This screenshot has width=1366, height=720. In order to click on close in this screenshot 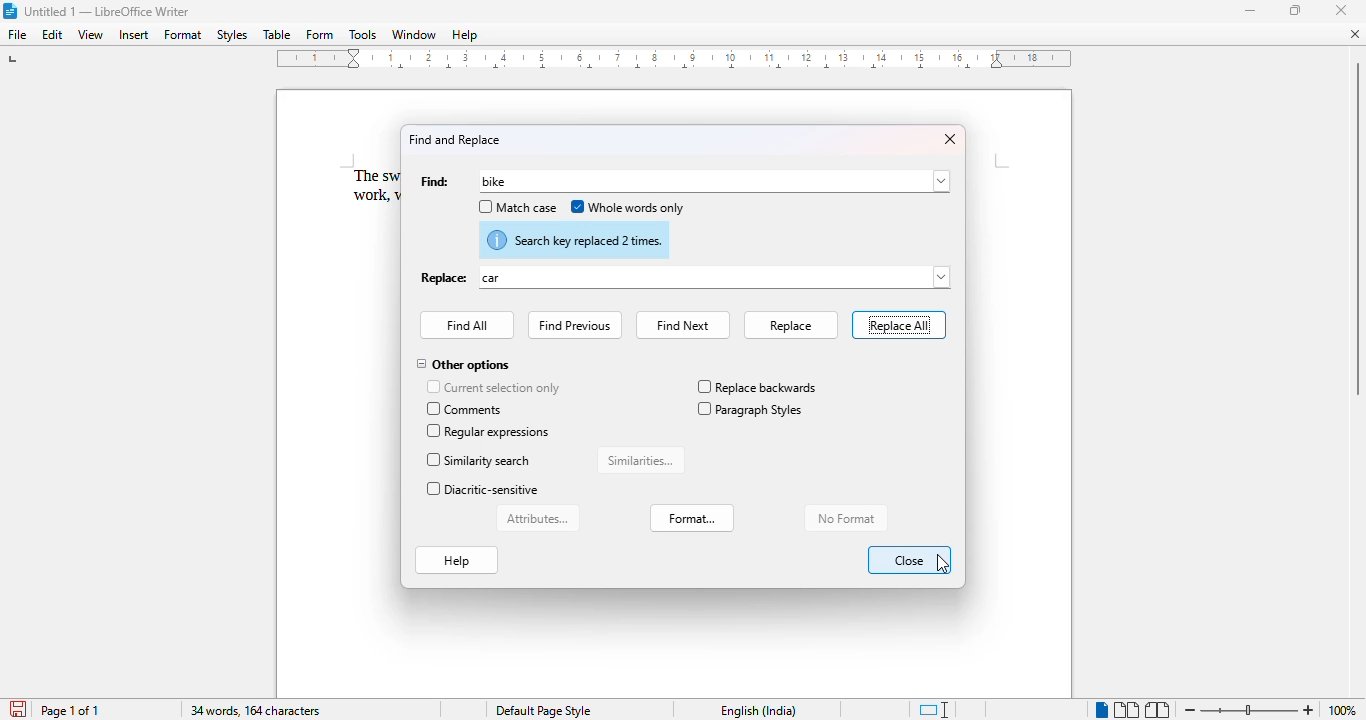, I will do `click(949, 139)`.